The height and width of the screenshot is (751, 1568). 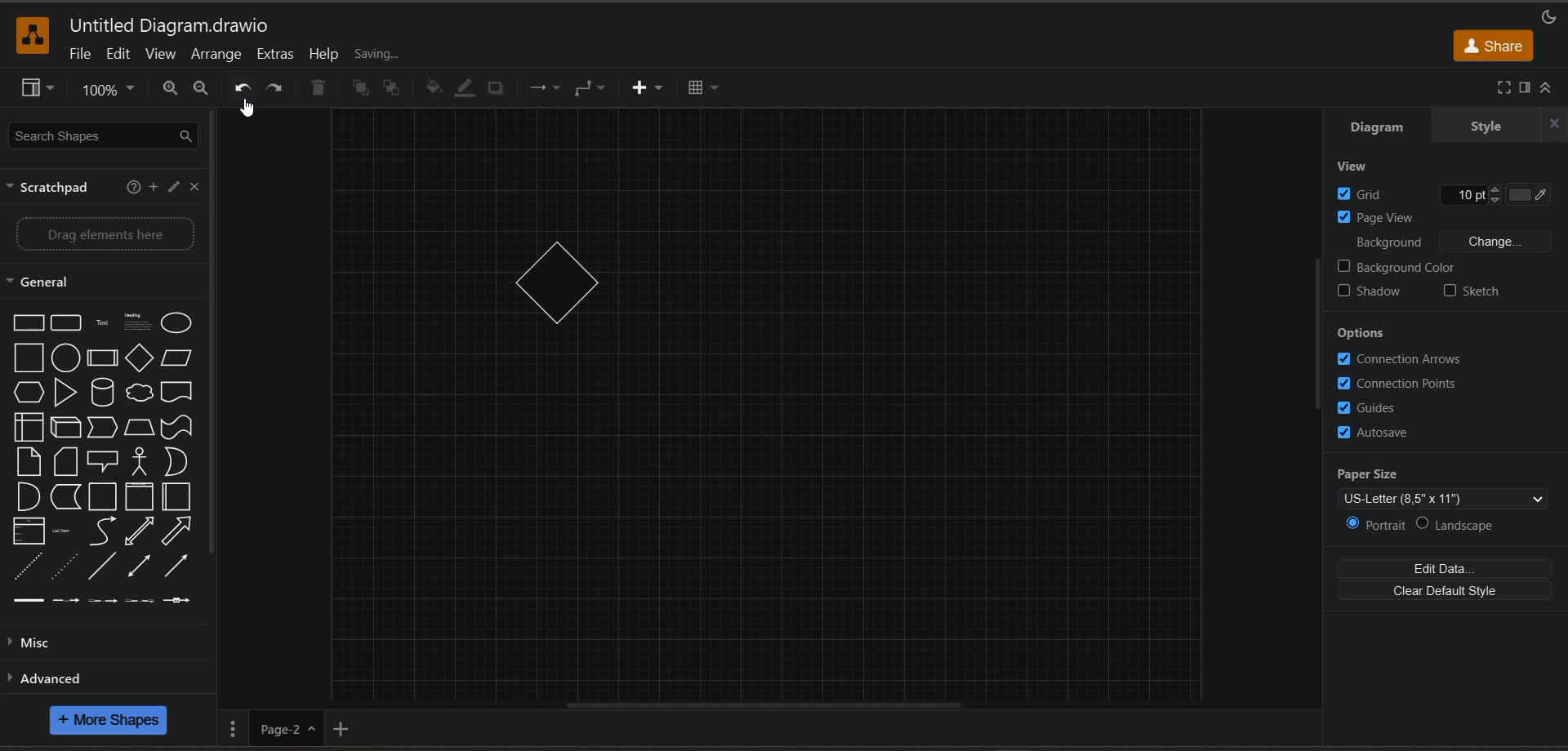 I want to click on share, so click(x=1497, y=46).